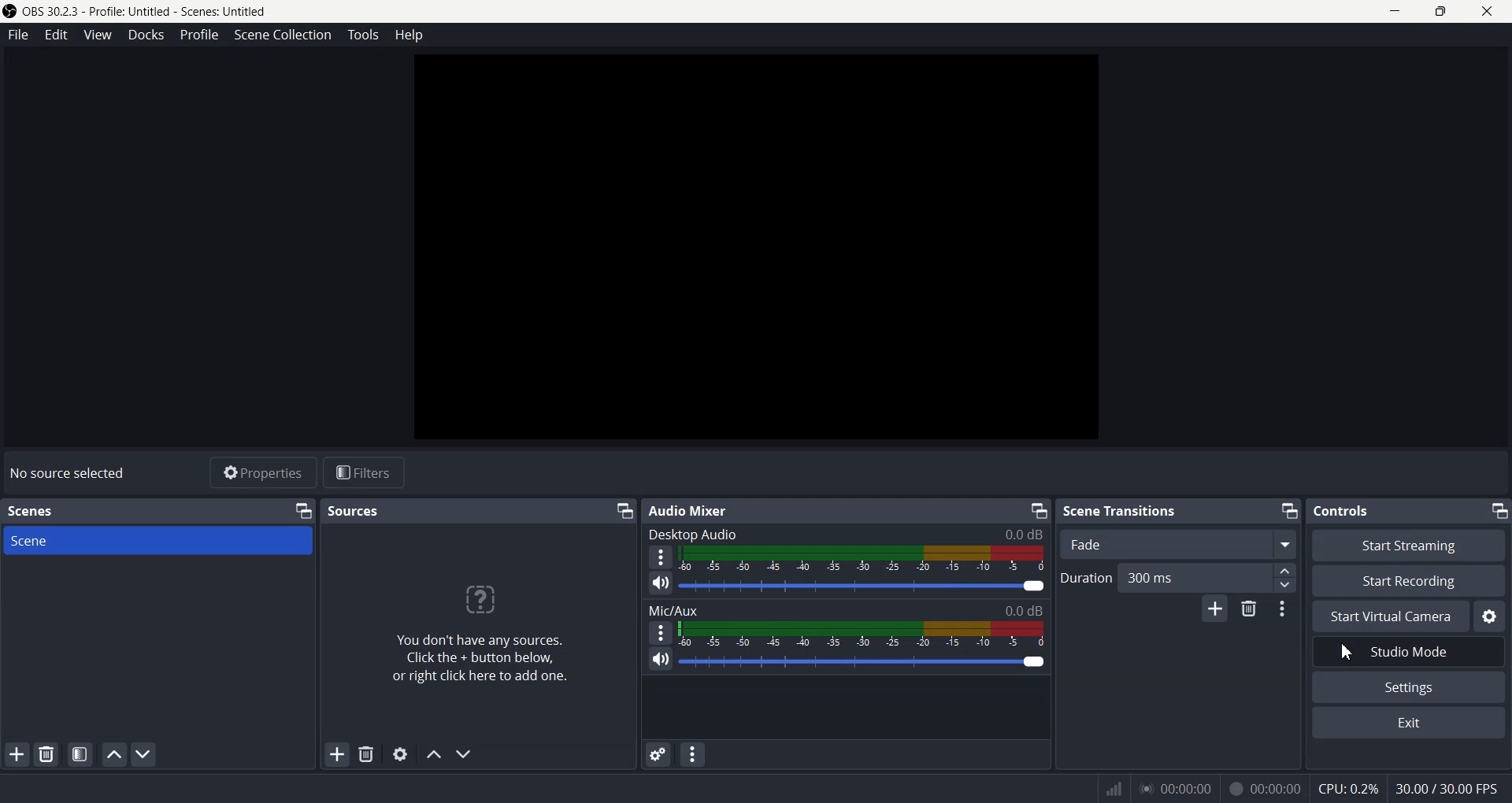  Describe the element at coordinates (1408, 687) in the screenshot. I see `Settings` at that location.